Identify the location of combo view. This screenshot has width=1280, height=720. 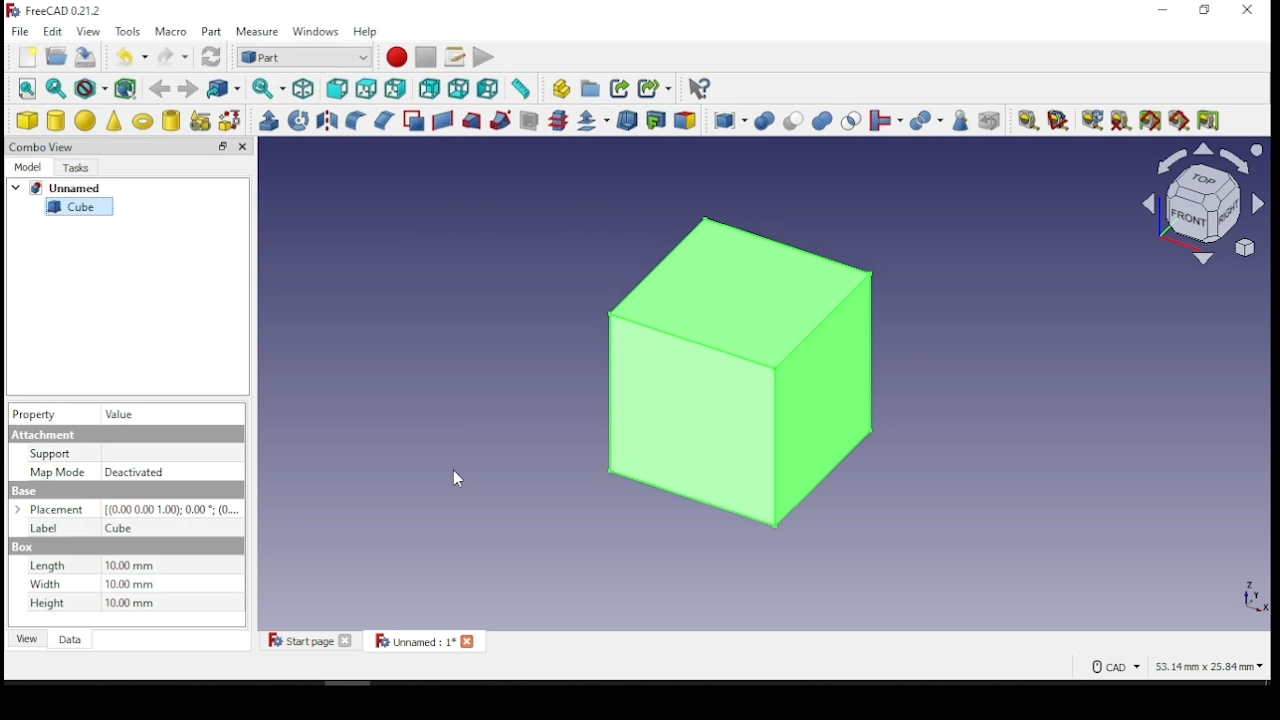
(44, 146).